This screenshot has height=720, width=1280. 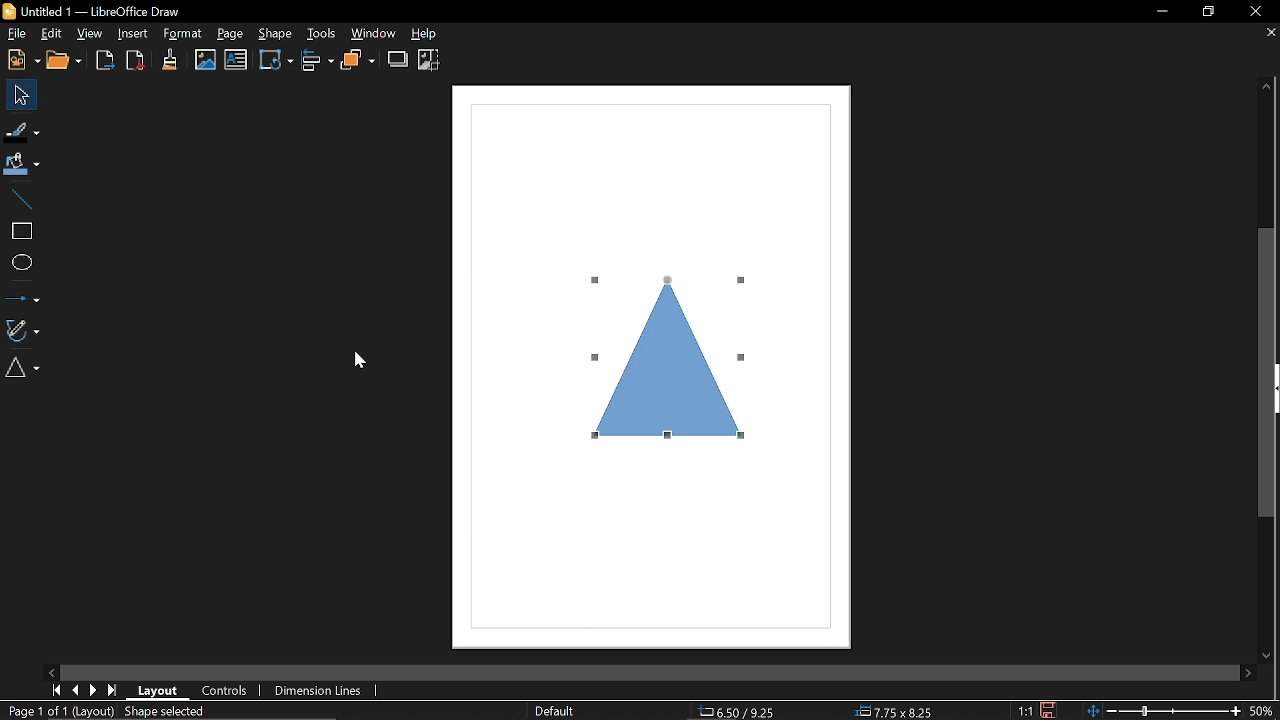 What do you see at coordinates (316, 692) in the screenshot?
I see `dimension lines` at bounding box center [316, 692].